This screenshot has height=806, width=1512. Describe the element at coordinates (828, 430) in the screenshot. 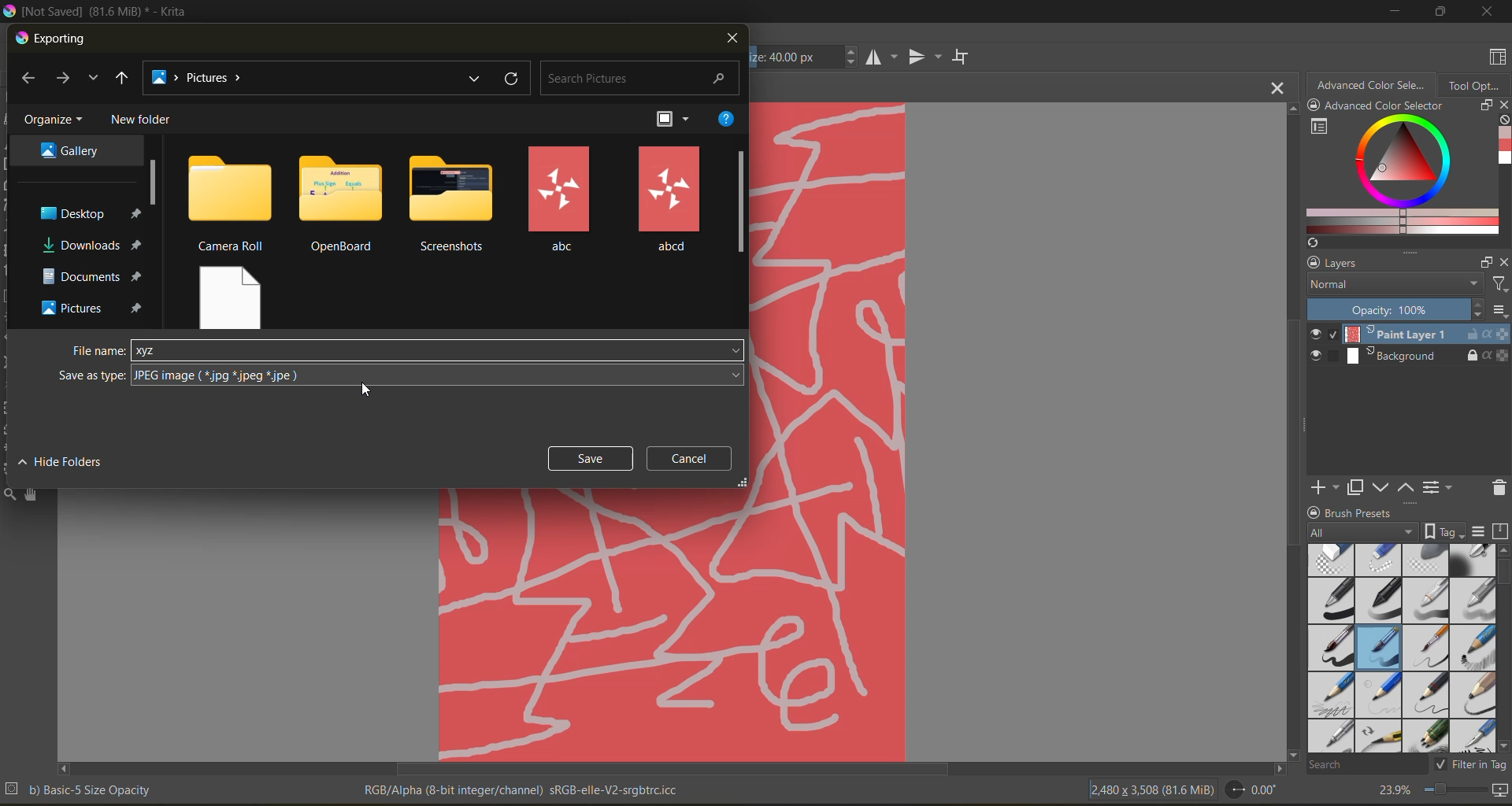

I see `Image` at that location.